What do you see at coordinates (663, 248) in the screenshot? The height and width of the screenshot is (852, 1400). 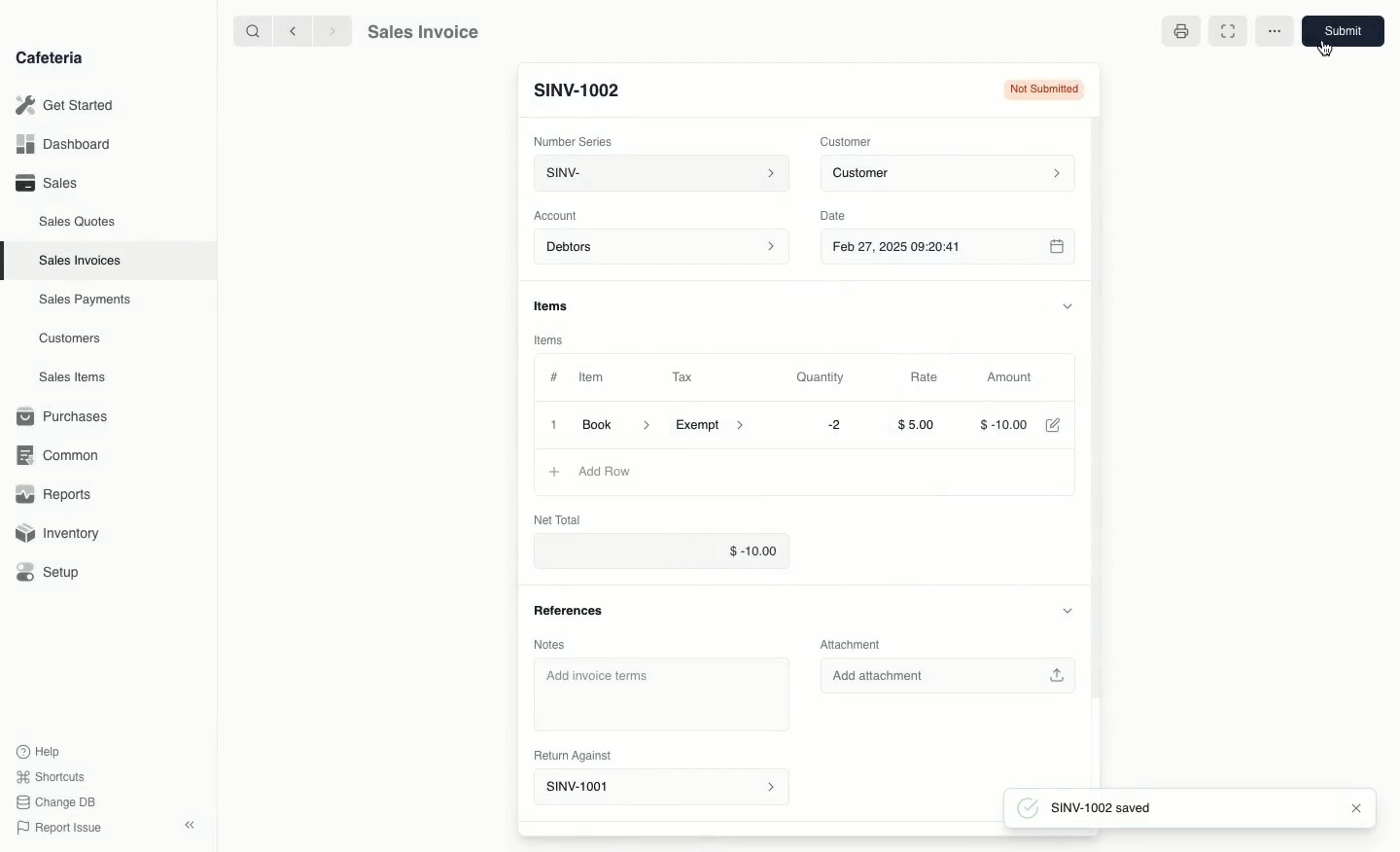 I see `Debtors ` at bounding box center [663, 248].